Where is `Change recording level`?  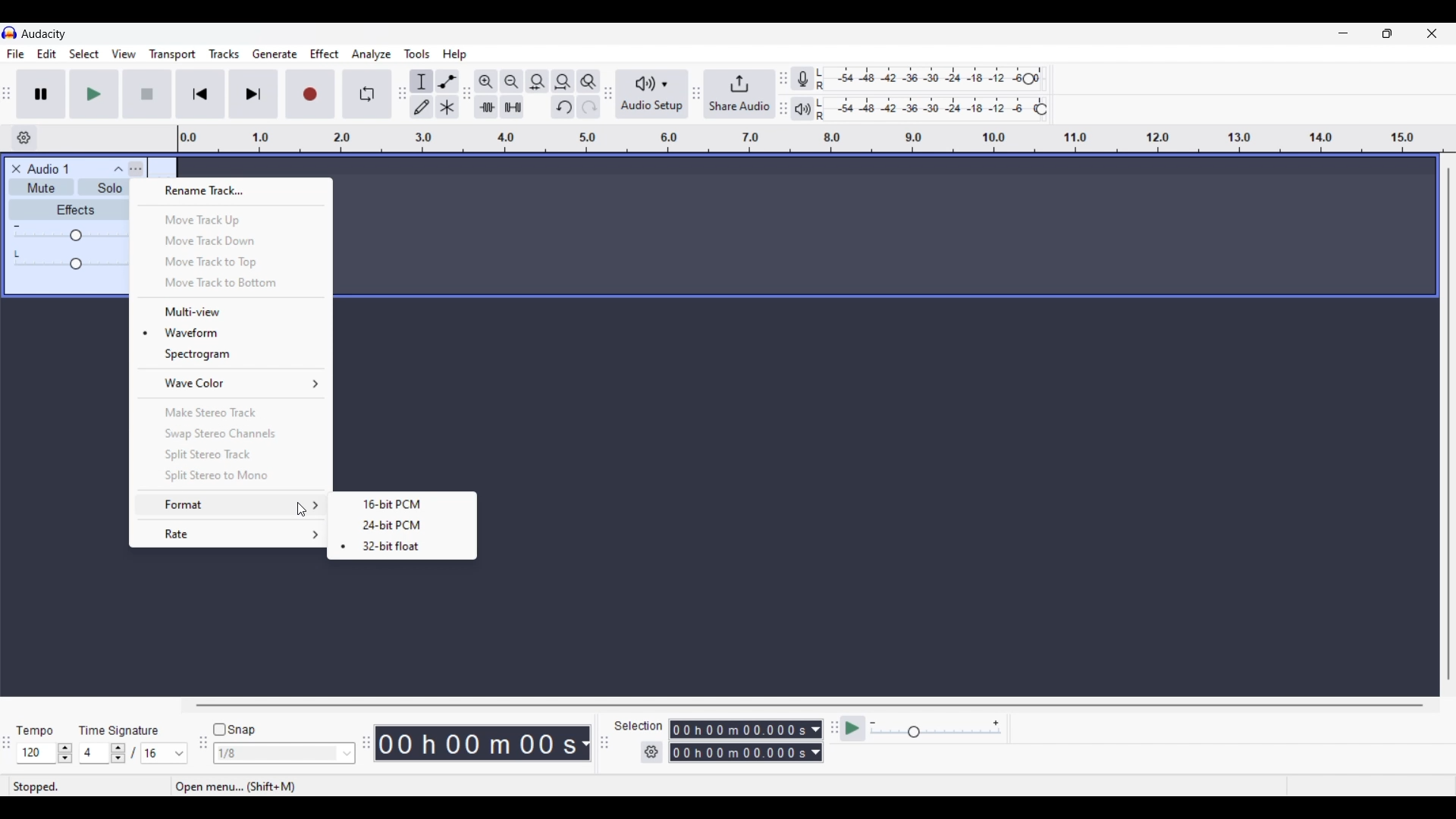 Change recording level is located at coordinates (1028, 78).